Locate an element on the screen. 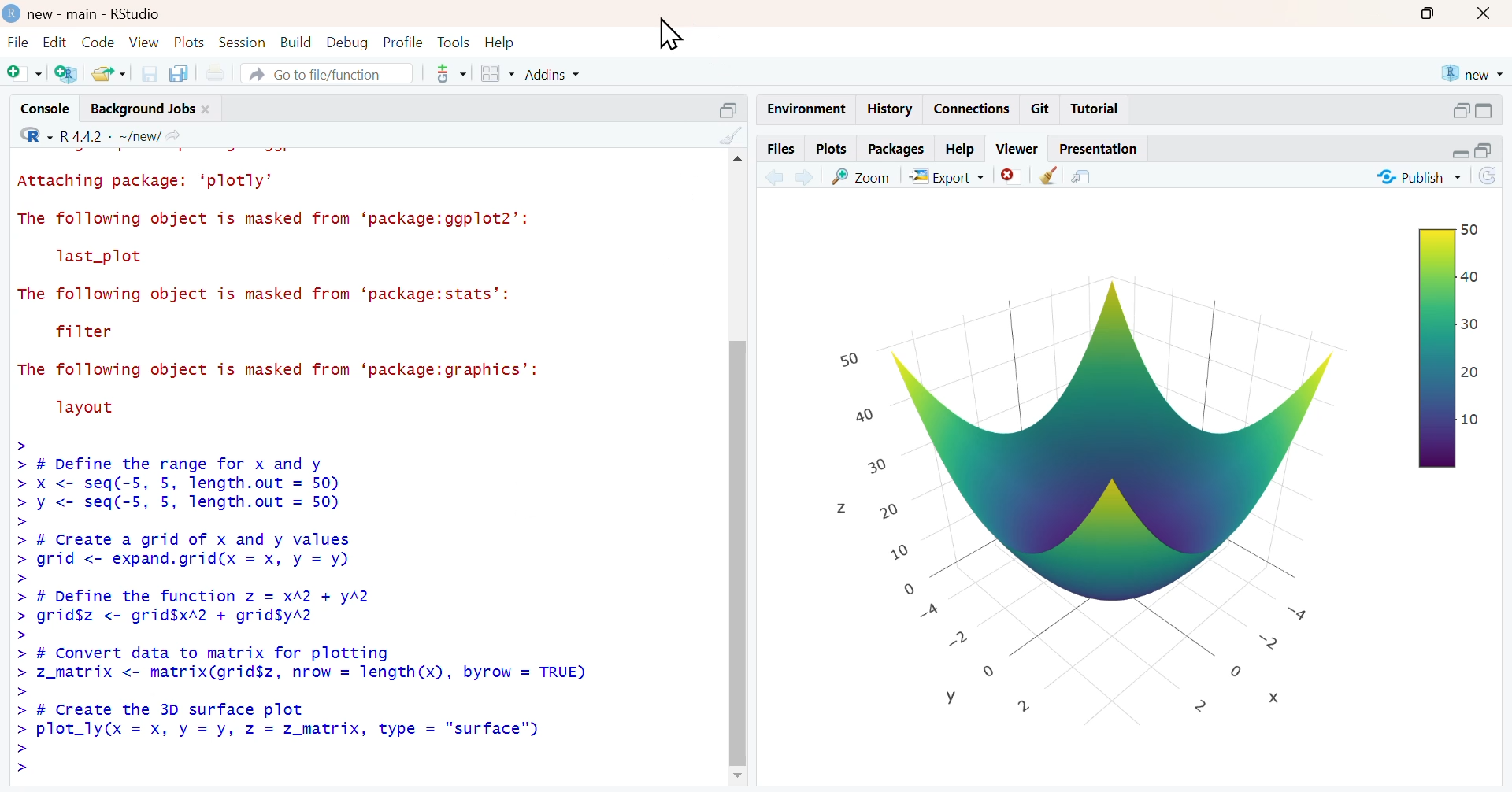 This screenshot has height=792, width=1512. layout is located at coordinates (91, 409).